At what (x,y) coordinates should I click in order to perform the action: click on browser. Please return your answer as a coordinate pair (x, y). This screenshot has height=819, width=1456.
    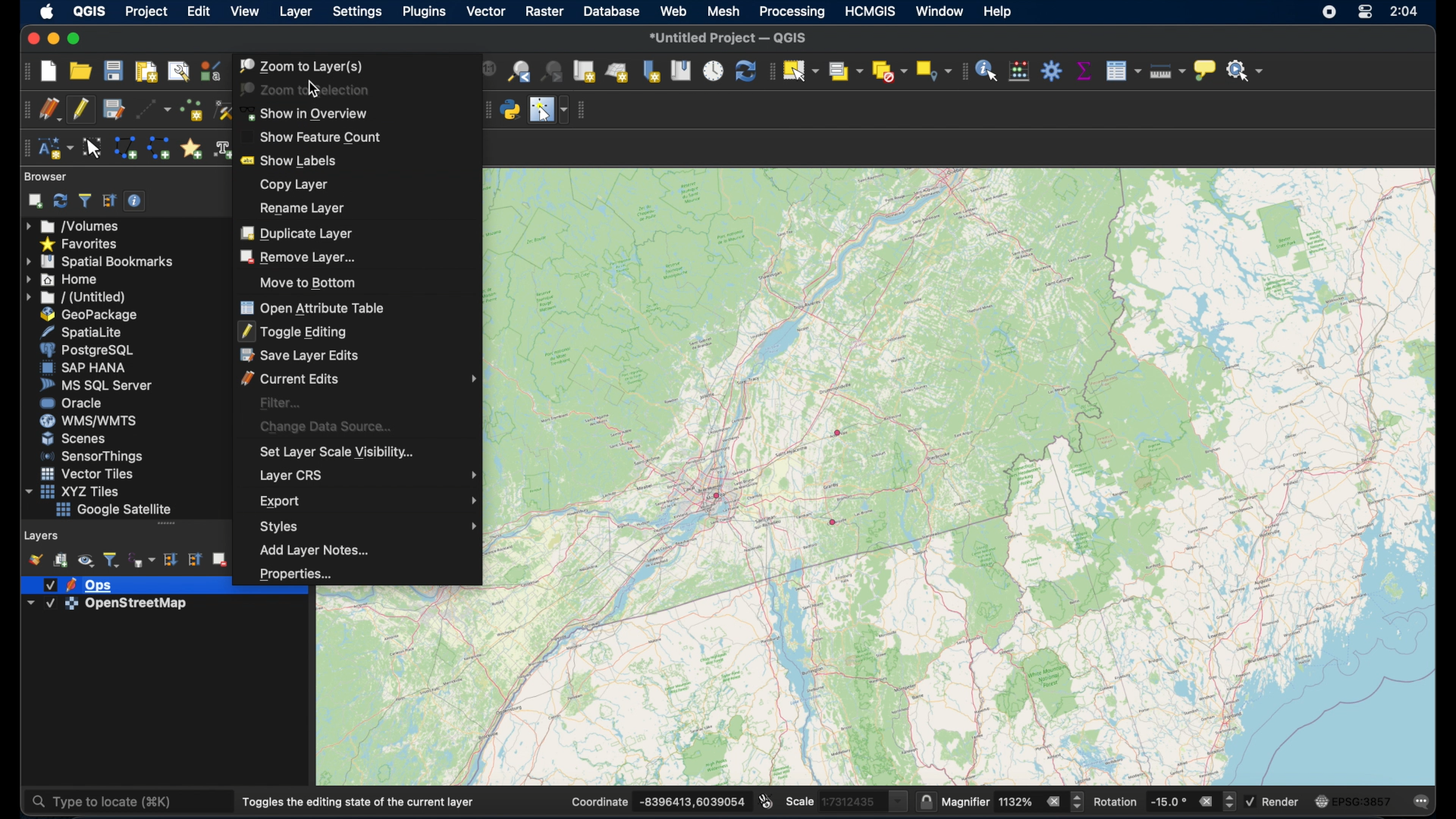
    Looking at the image, I should click on (44, 176).